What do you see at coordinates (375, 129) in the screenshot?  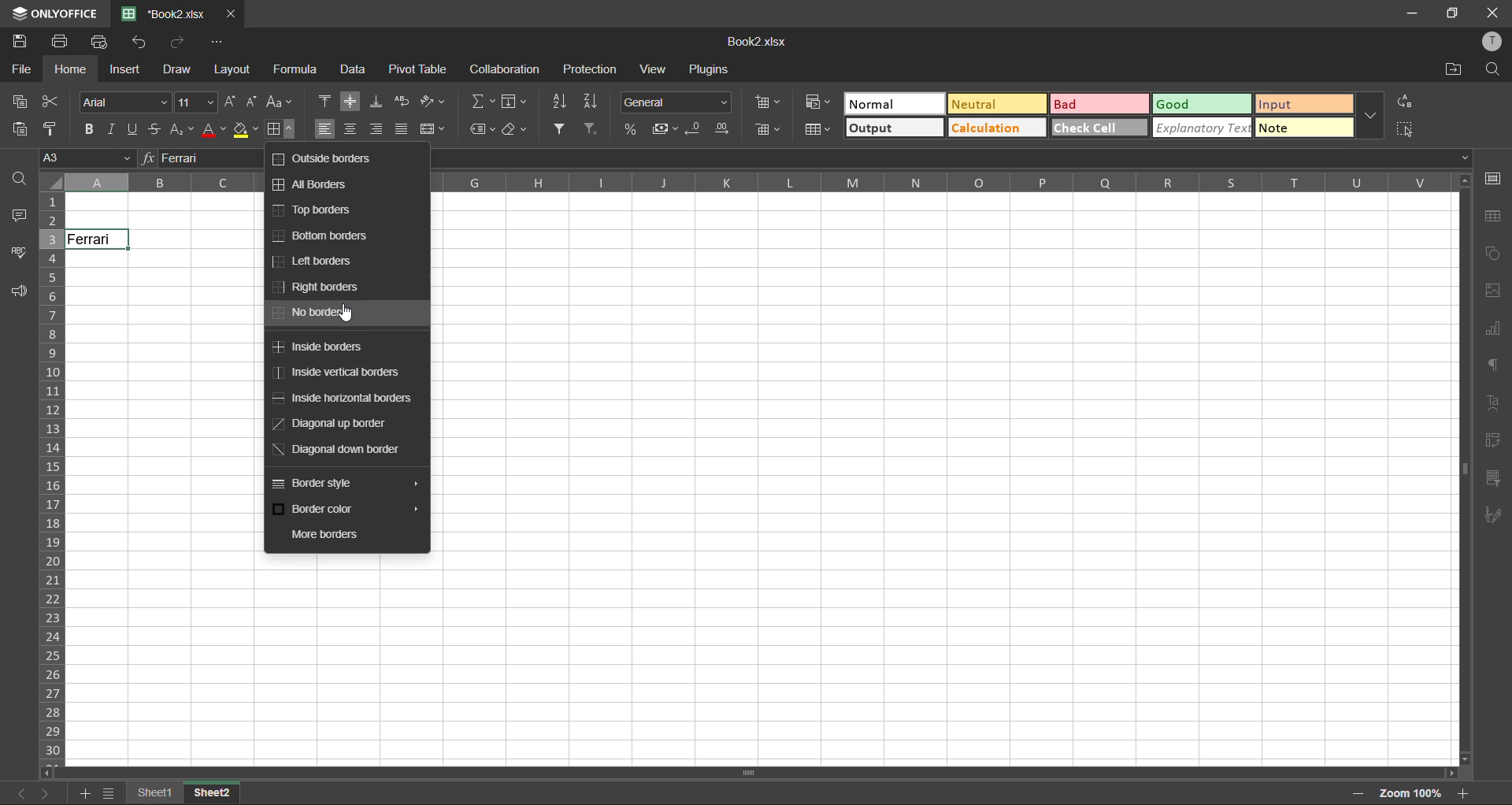 I see `align right` at bounding box center [375, 129].